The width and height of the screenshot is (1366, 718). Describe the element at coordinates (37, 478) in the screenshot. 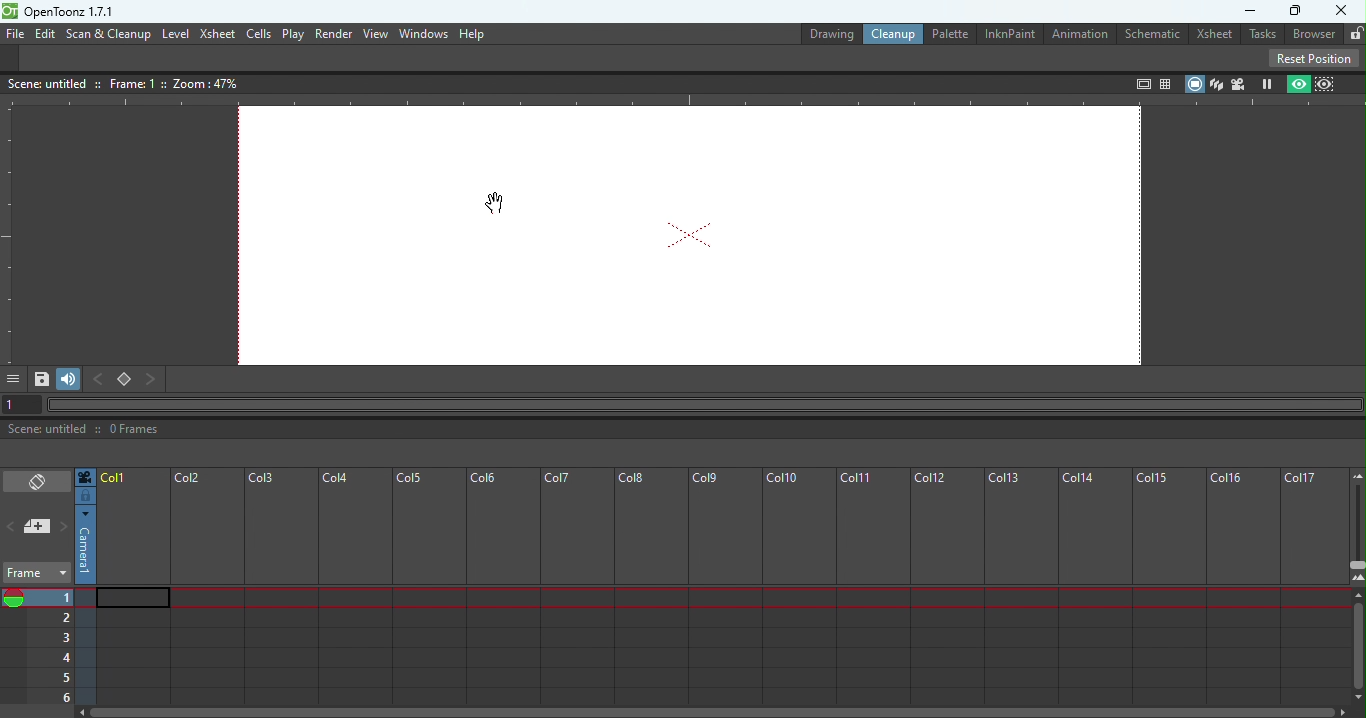

I see `Toggle Xsheet/Timeline` at that location.